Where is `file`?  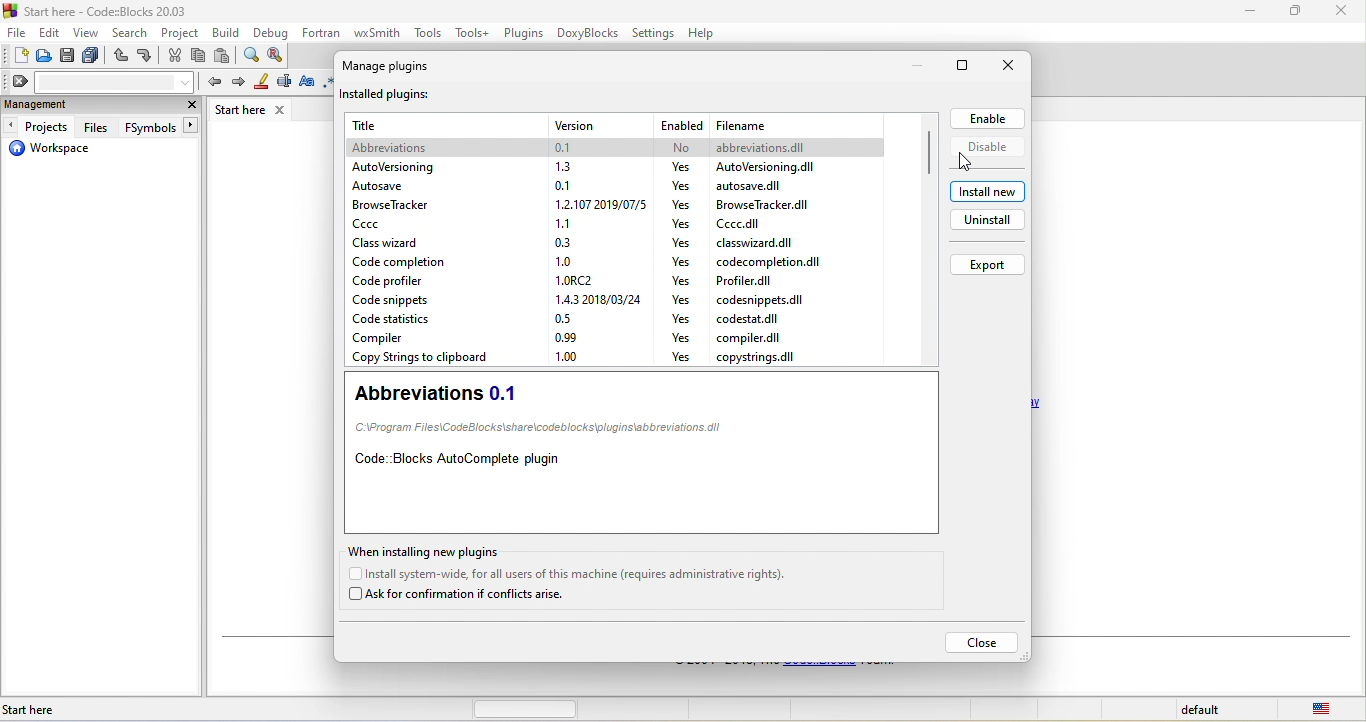
file is located at coordinates (751, 280).